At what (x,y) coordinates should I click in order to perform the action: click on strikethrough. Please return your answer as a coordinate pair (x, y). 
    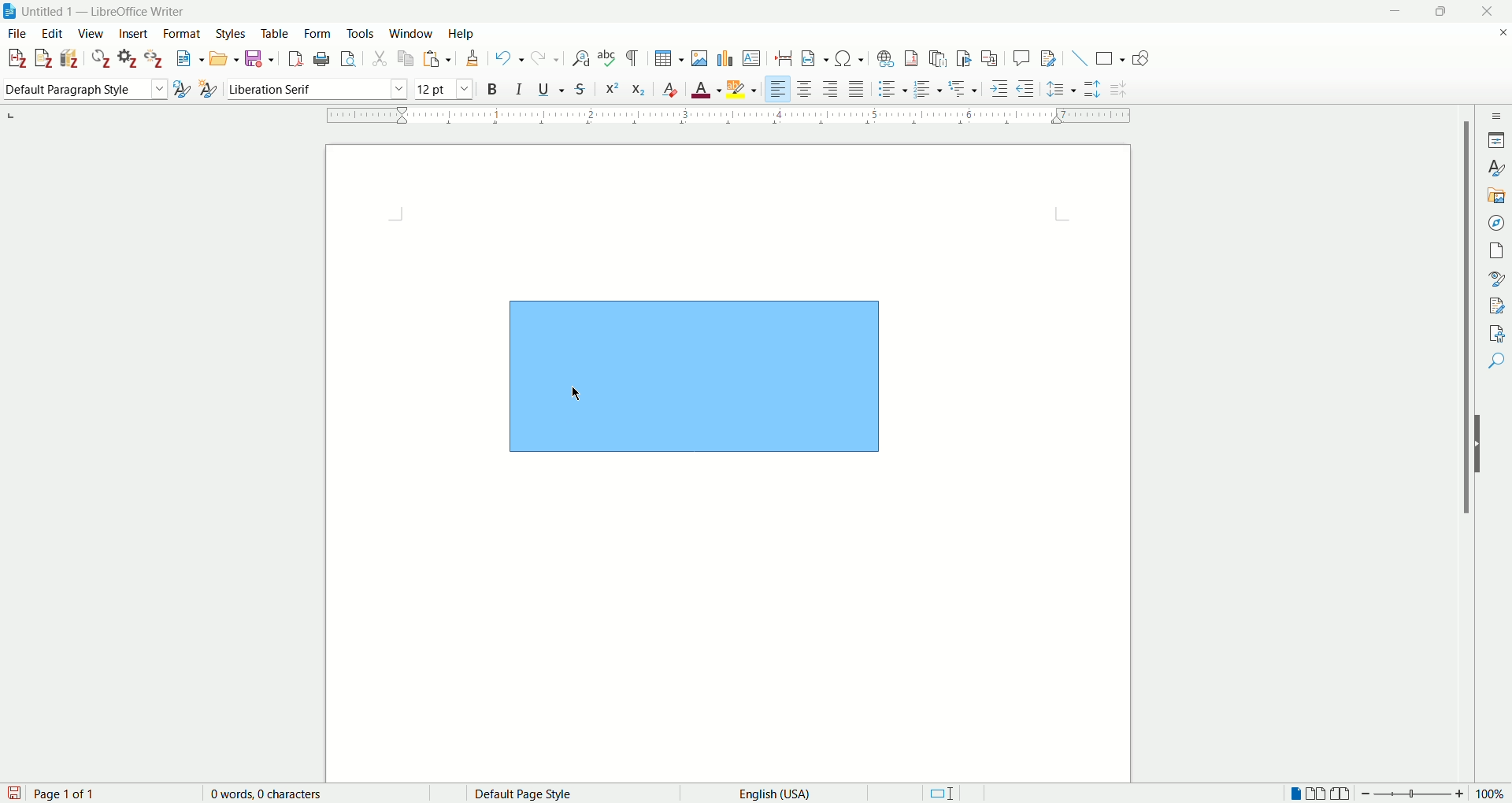
    Looking at the image, I should click on (580, 90).